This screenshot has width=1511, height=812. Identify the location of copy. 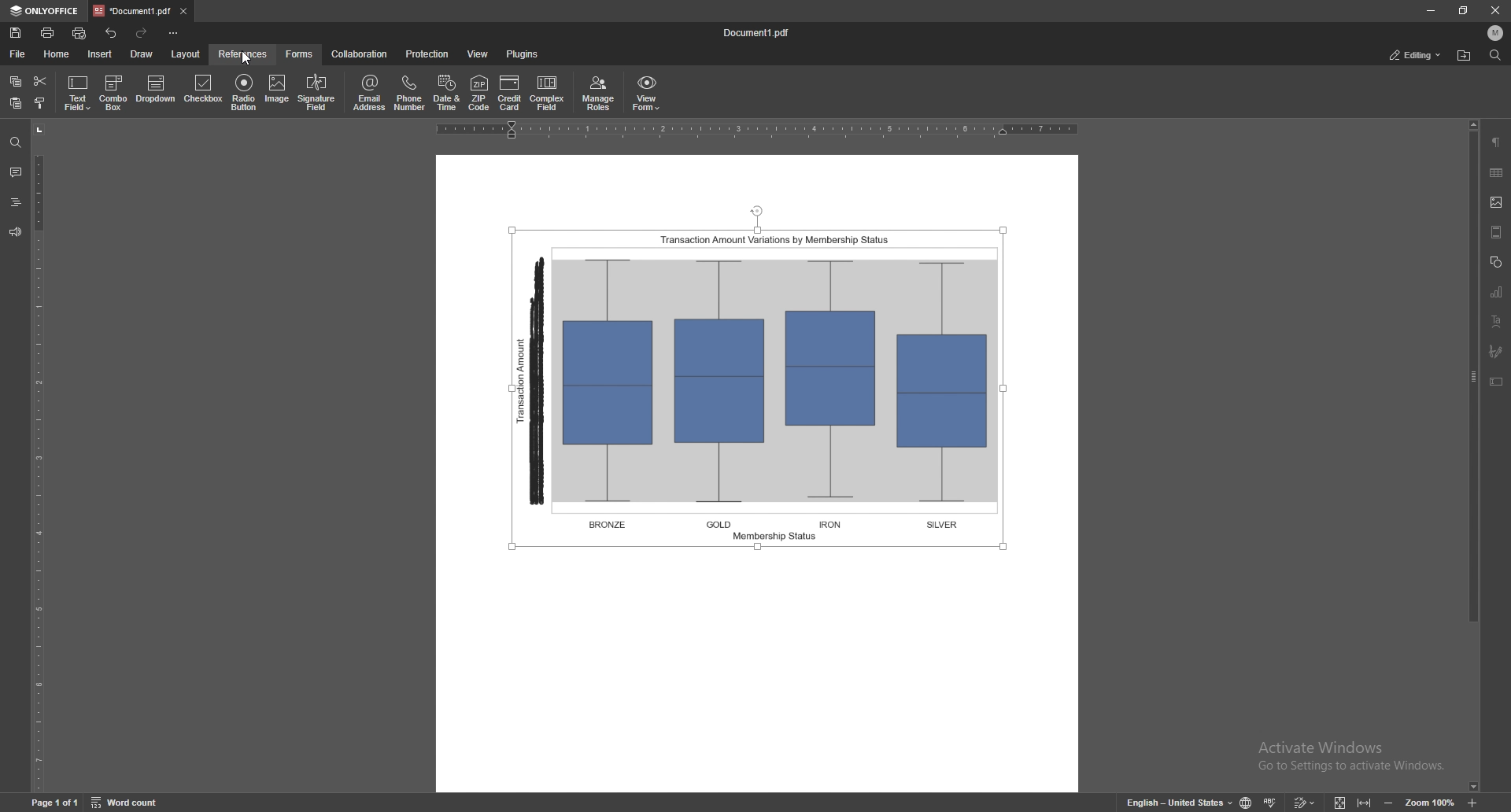
(16, 82).